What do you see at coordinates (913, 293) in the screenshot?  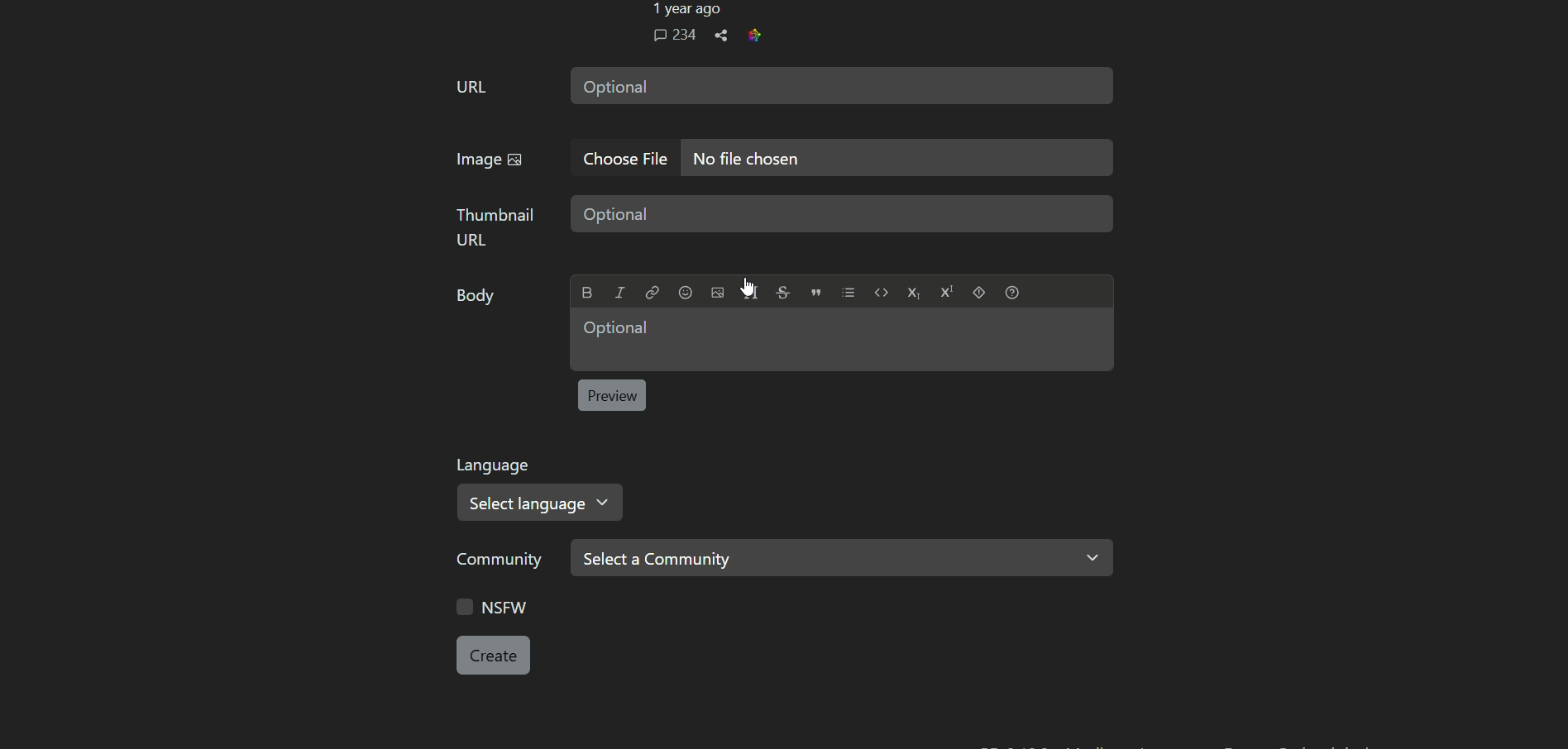 I see `Subscript` at bounding box center [913, 293].